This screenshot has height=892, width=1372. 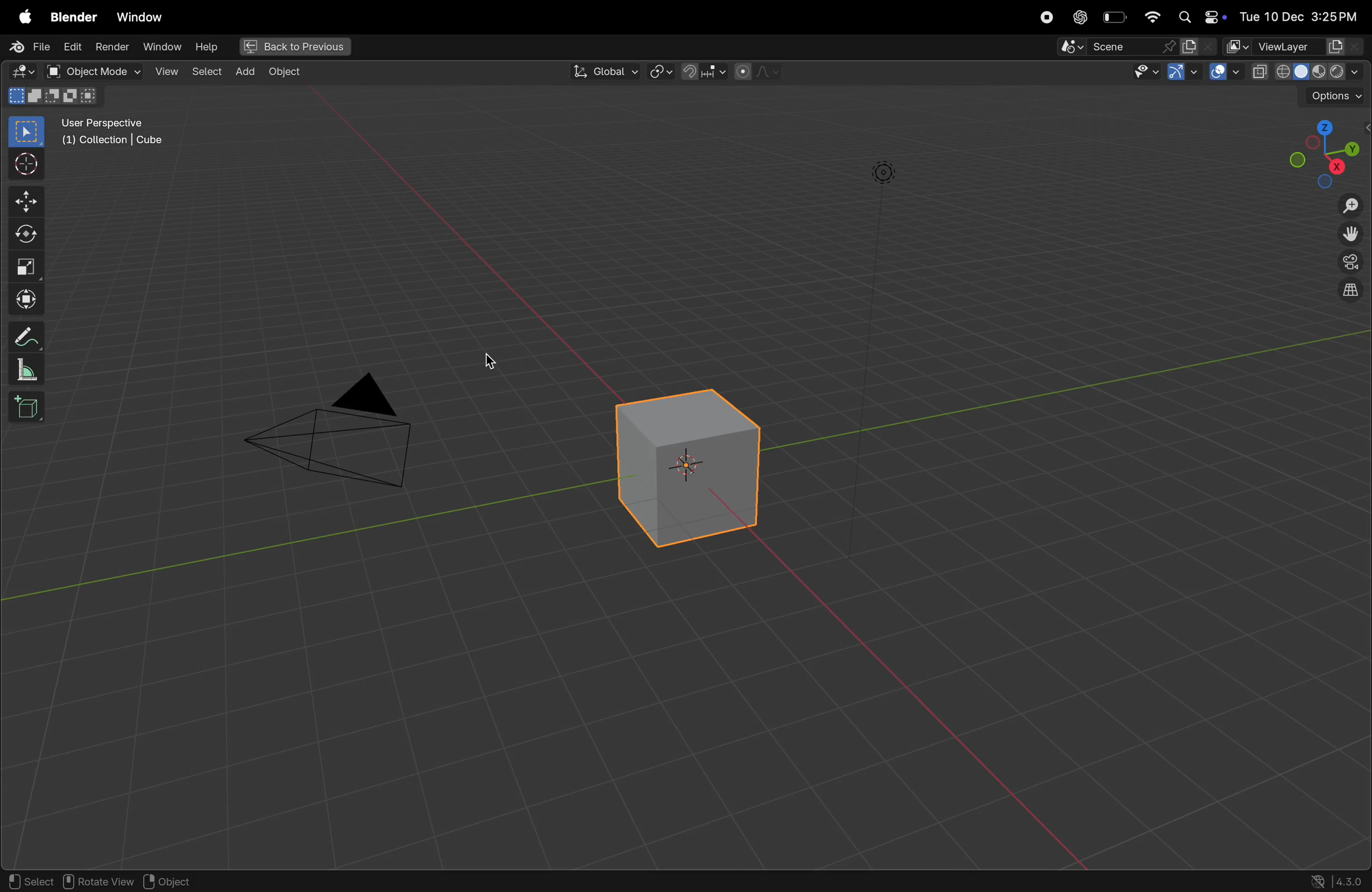 What do you see at coordinates (29, 410) in the screenshot?
I see `3d cube` at bounding box center [29, 410].